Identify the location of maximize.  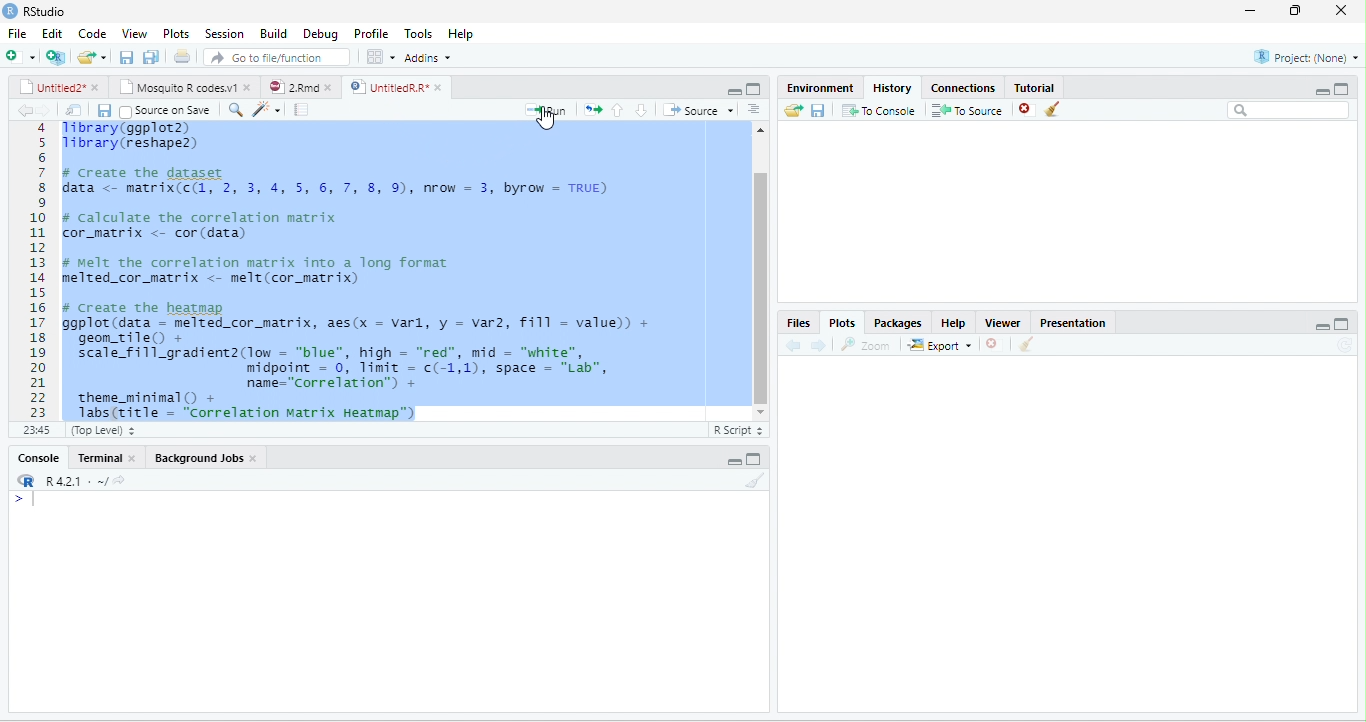
(753, 89).